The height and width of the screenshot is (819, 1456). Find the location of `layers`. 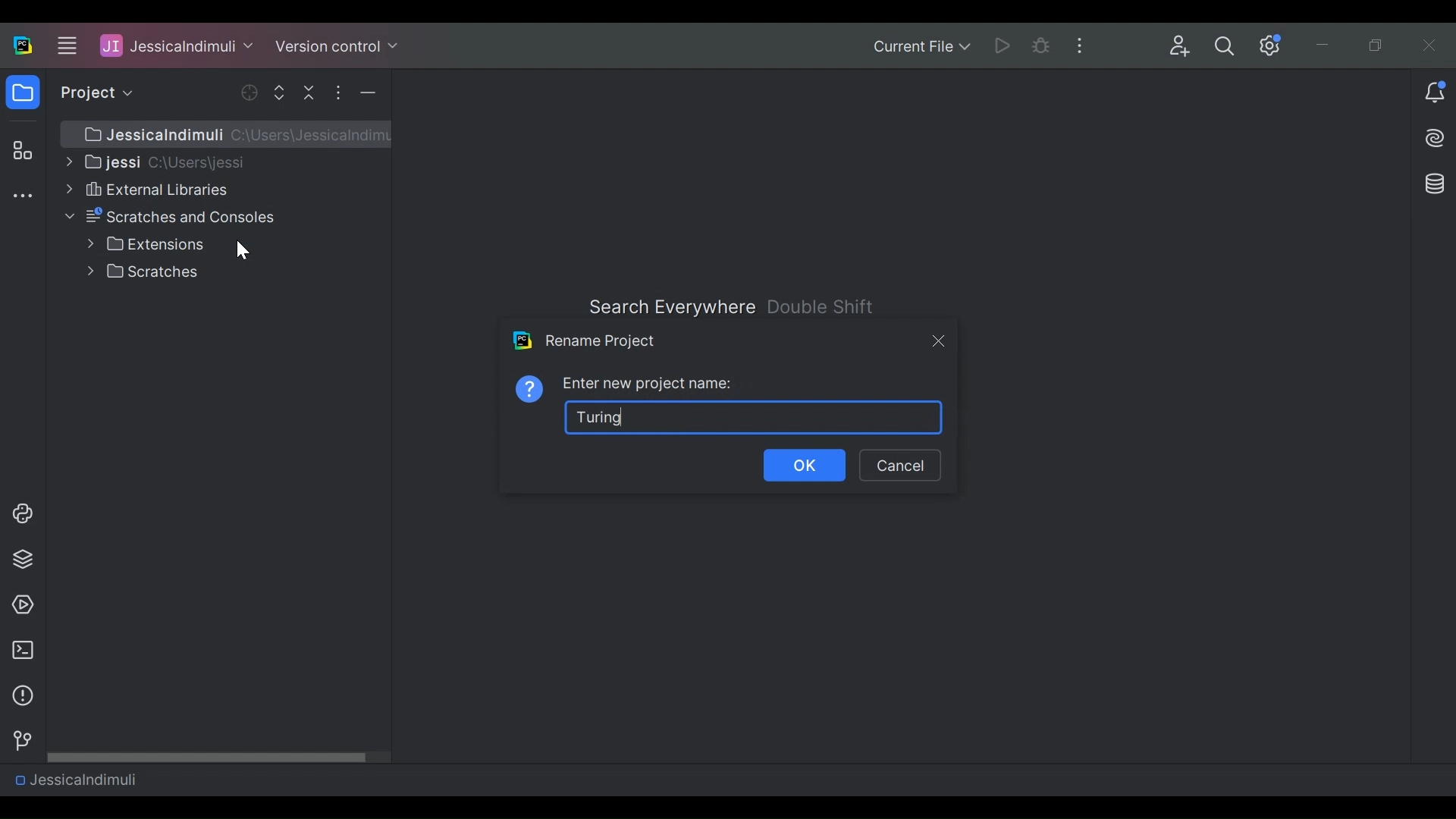

layers is located at coordinates (22, 558).